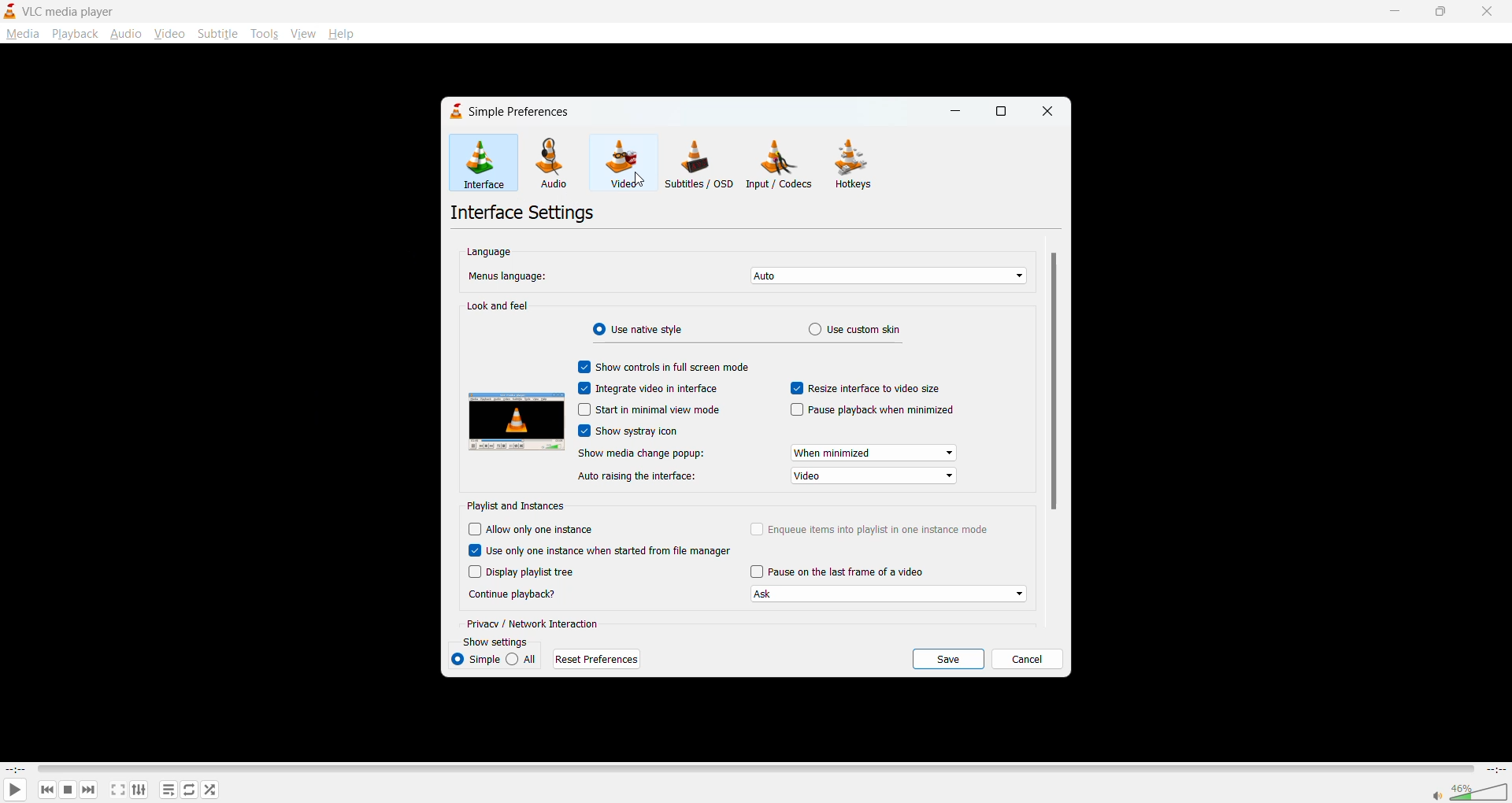 The height and width of the screenshot is (803, 1512). I want to click on integrate video in interface, so click(651, 387).